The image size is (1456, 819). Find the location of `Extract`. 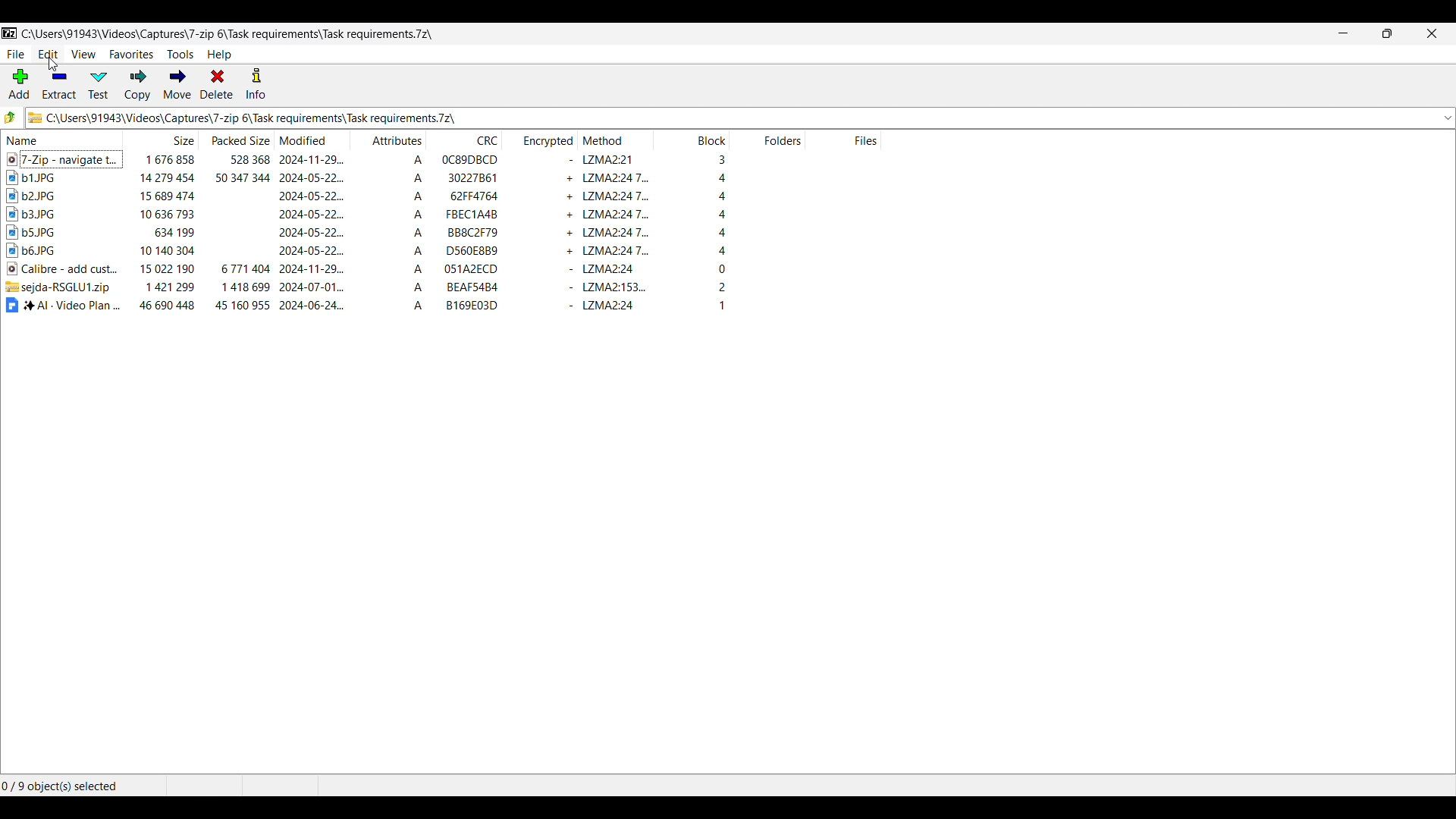

Extract is located at coordinates (60, 85).